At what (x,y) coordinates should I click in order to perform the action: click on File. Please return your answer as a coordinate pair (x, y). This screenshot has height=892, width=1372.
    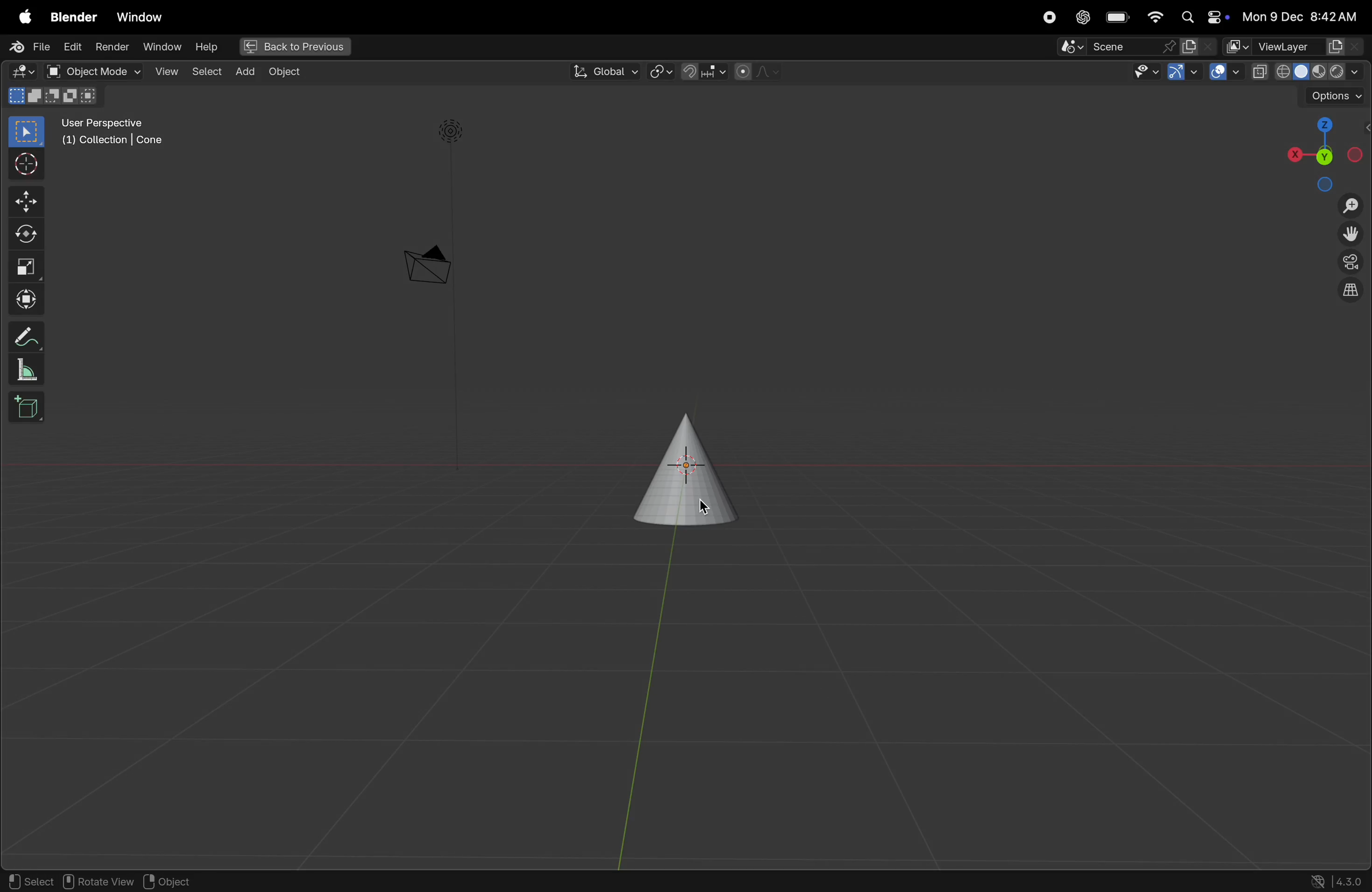
    Looking at the image, I should click on (29, 46).